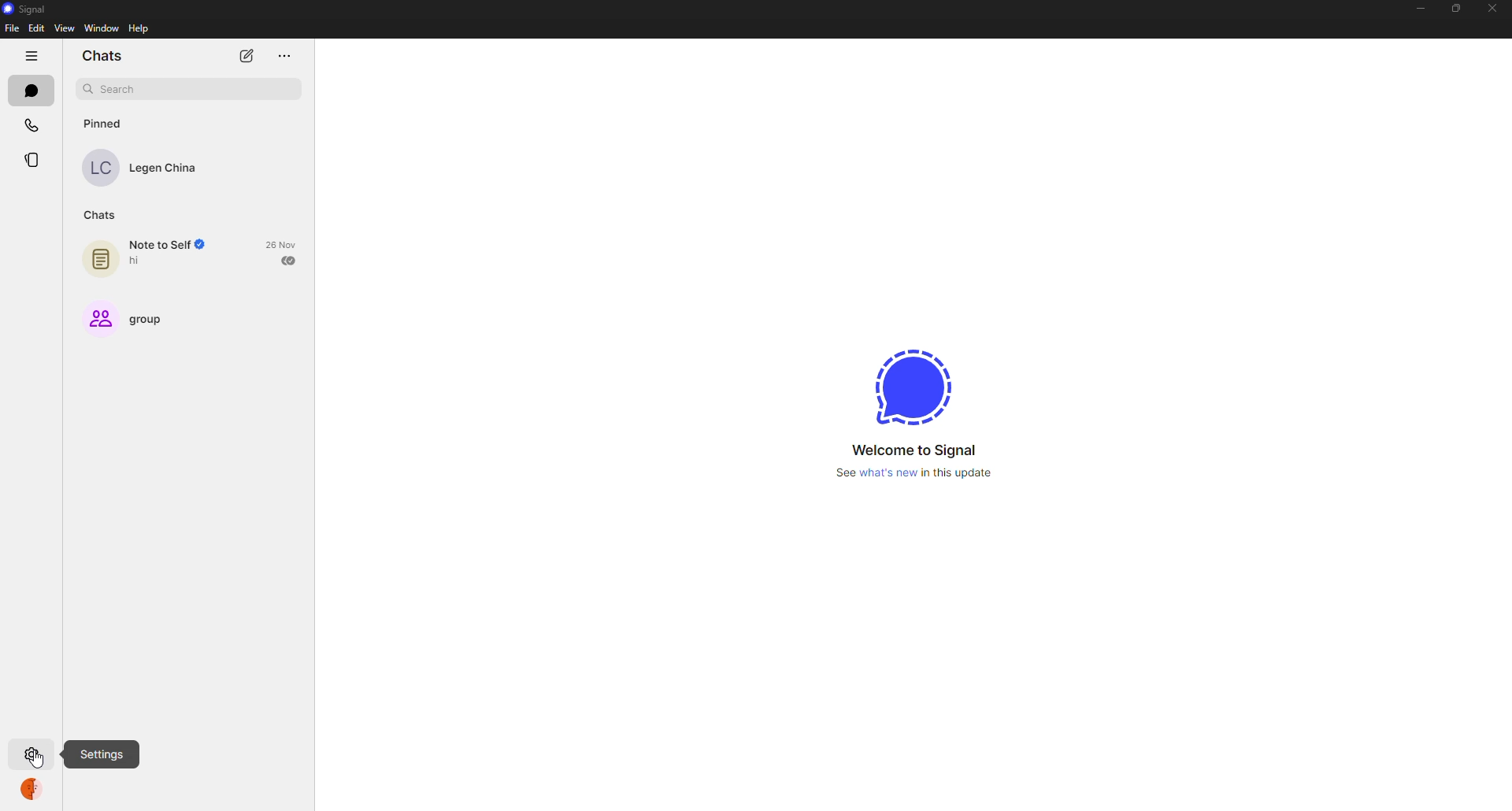  Describe the element at coordinates (102, 28) in the screenshot. I see `window` at that location.